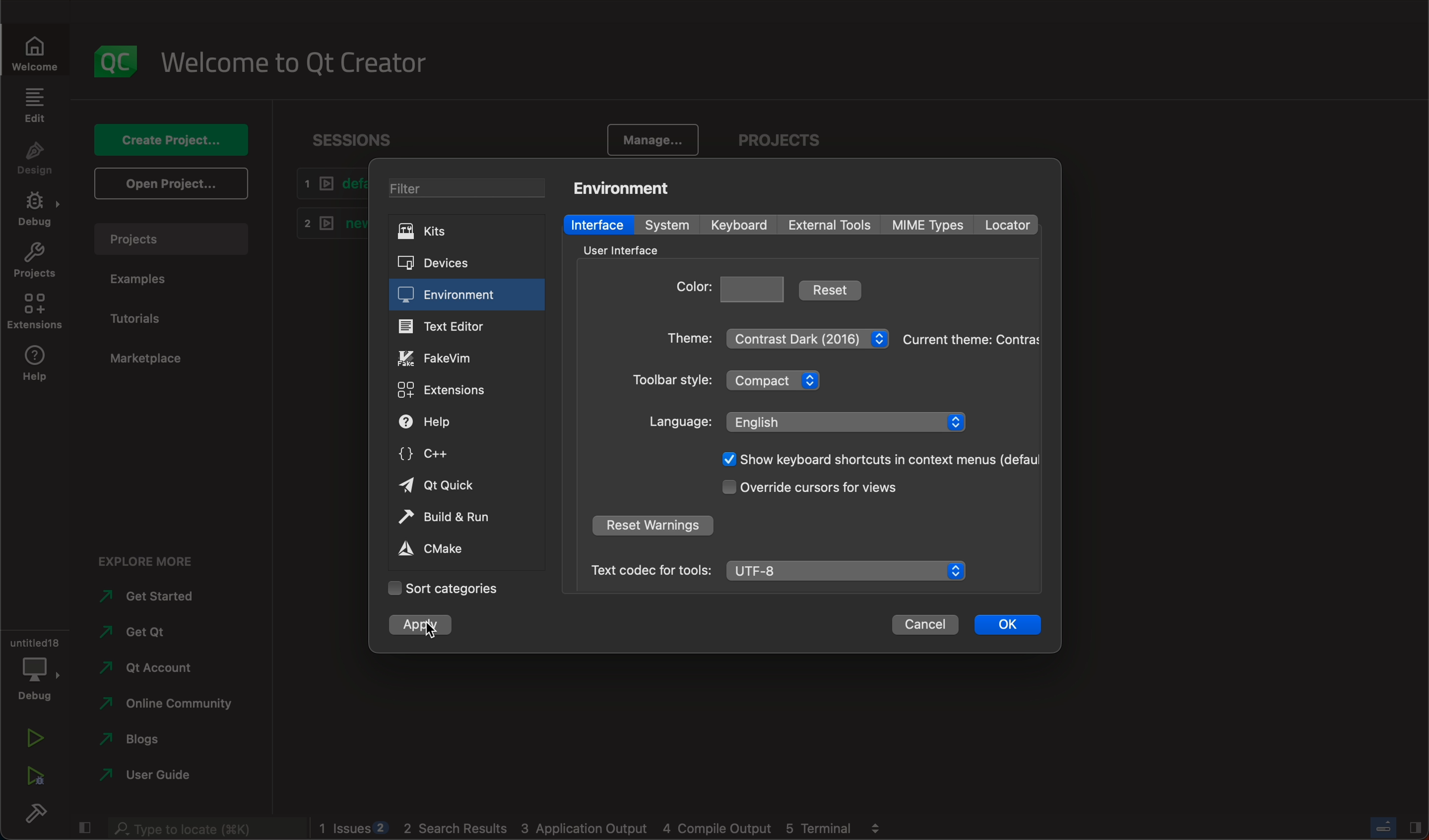 The height and width of the screenshot is (840, 1429). What do you see at coordinates (450, 388) in the screenshot?
I see `extensions` at bounding box center [450, 388].